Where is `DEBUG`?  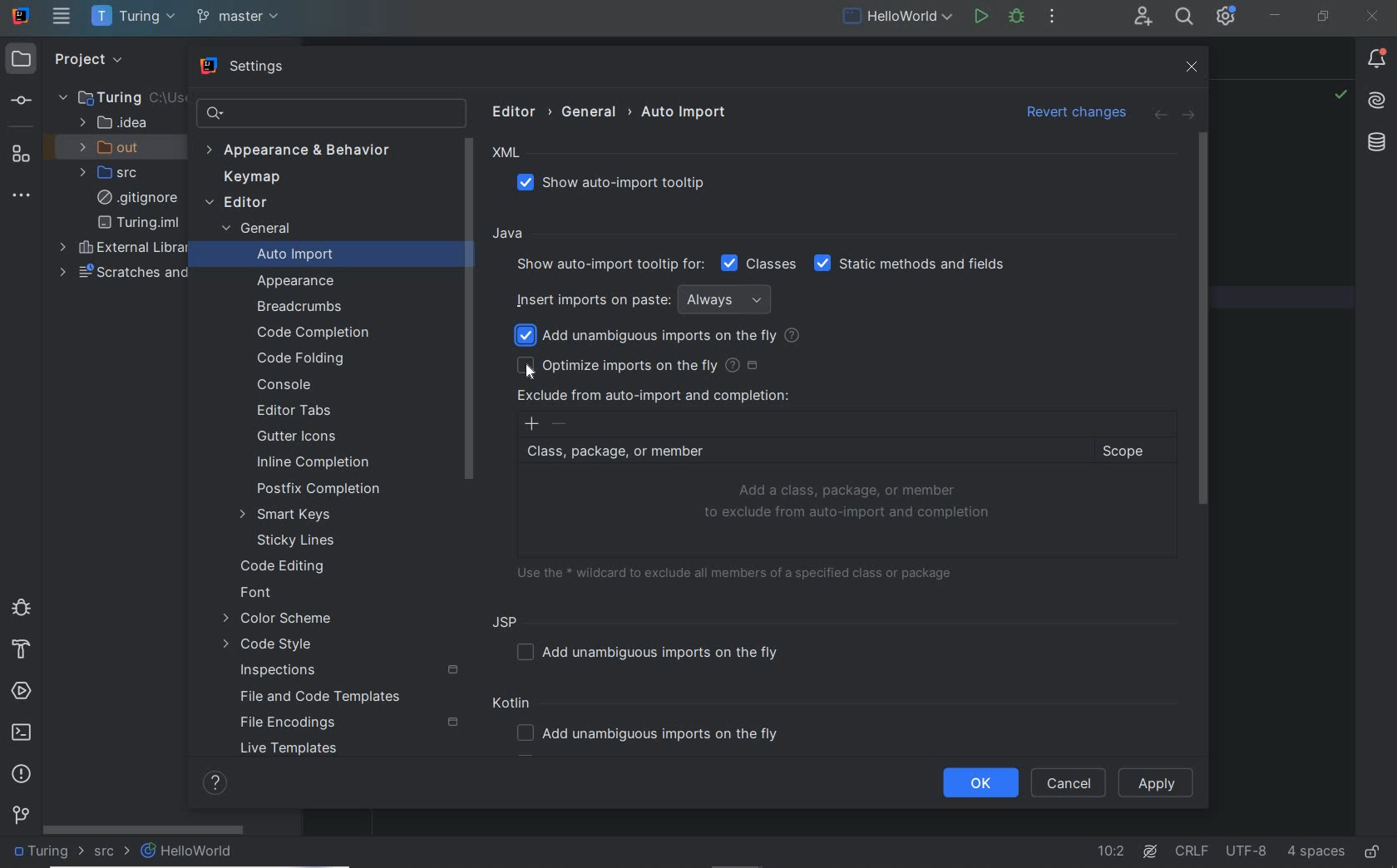 DEBUG is located at coordinates (1016, 16).